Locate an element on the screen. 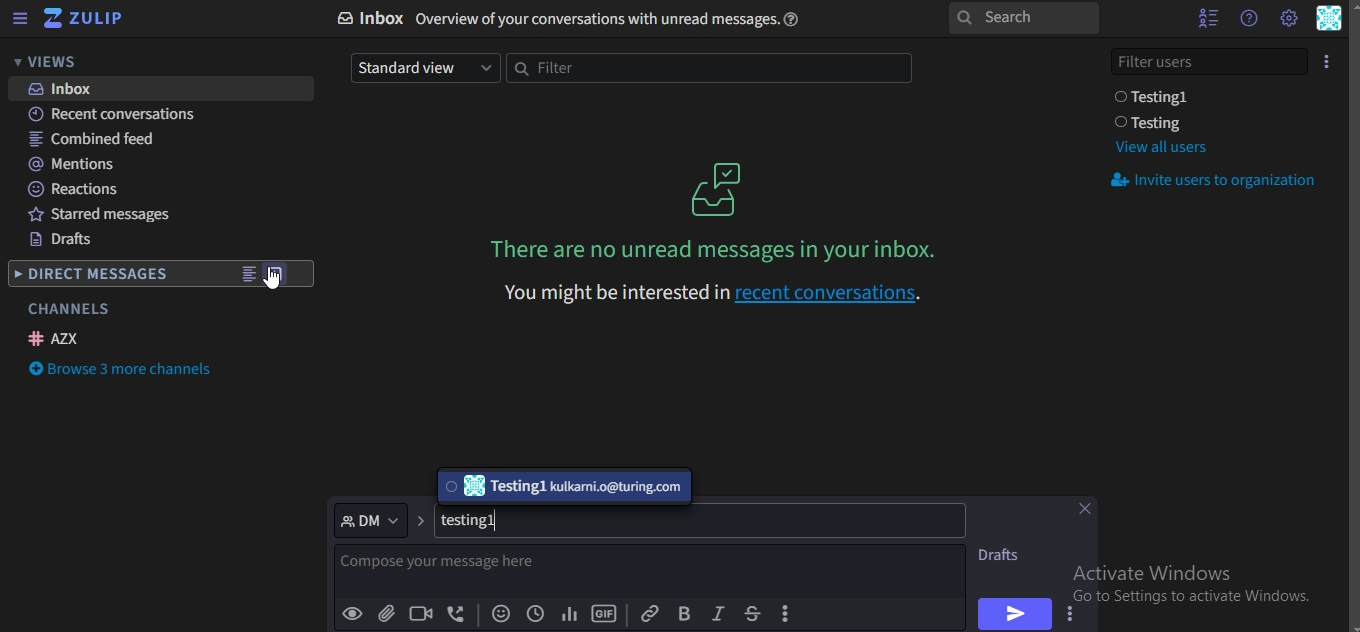 Image resolution: width=1360 pixels, height=632 pixels. inbox is located at coordinates (67, 89).